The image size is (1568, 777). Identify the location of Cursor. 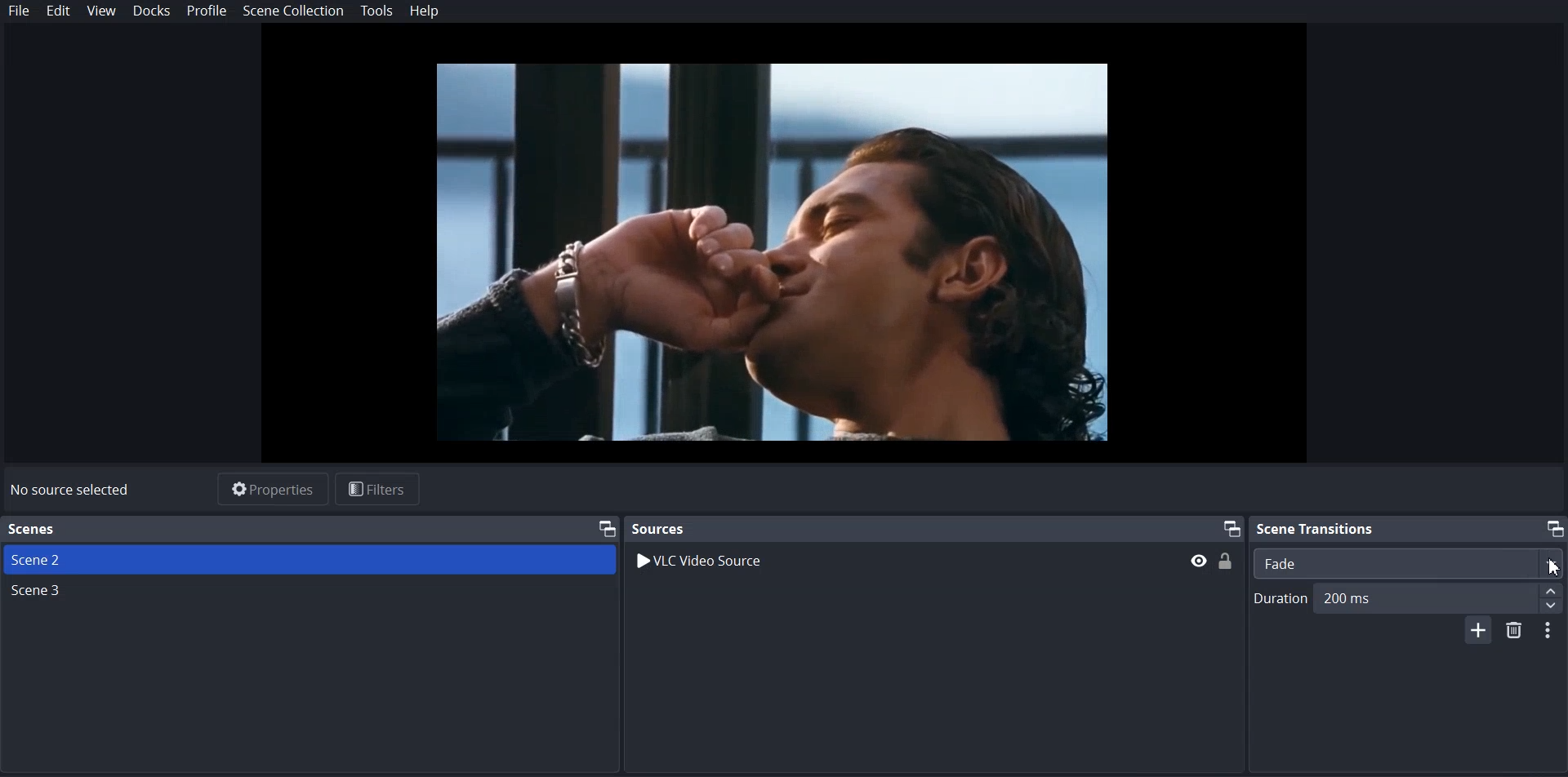
(1552, 566).